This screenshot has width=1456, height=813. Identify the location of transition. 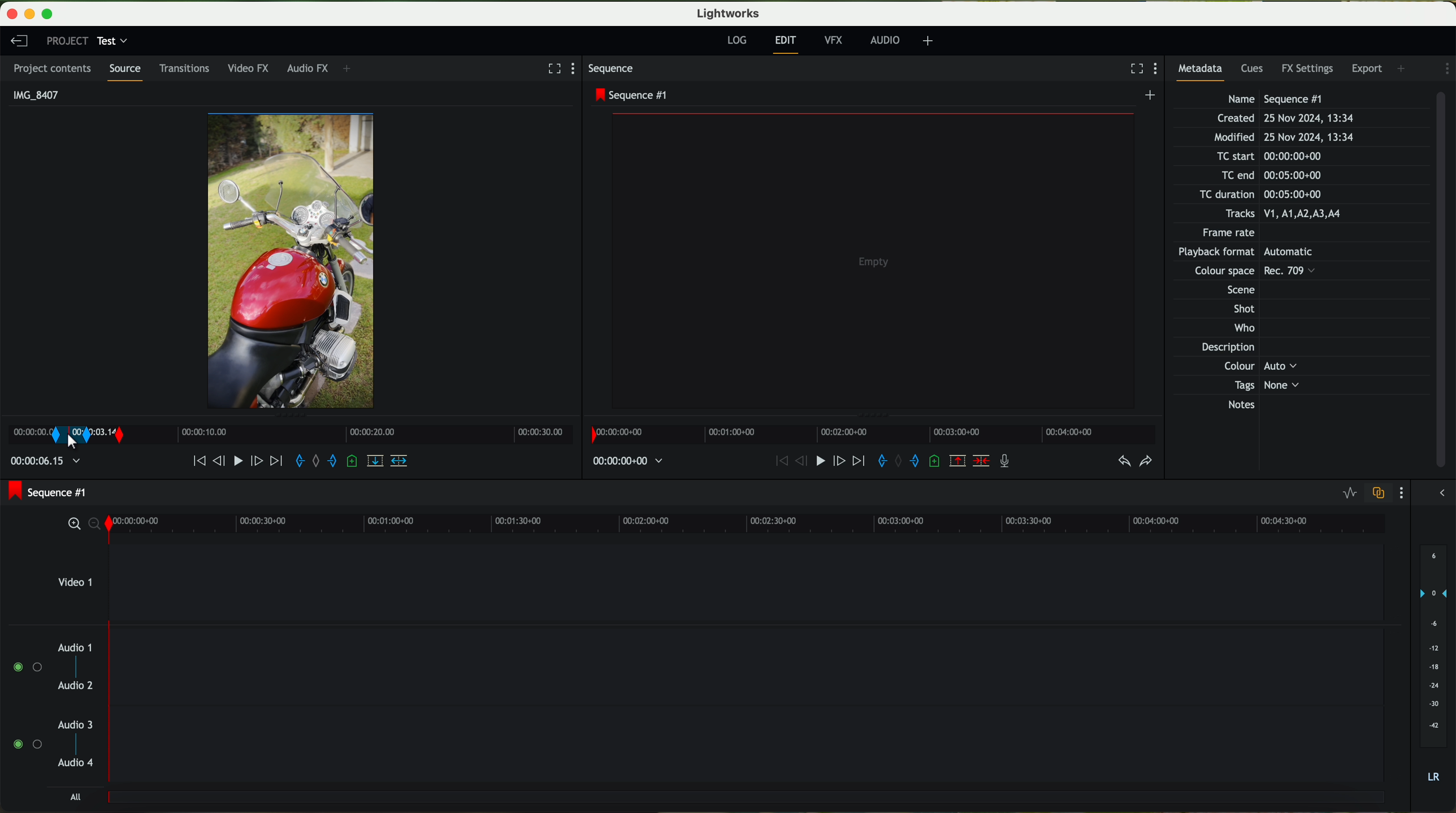
(84, 436).